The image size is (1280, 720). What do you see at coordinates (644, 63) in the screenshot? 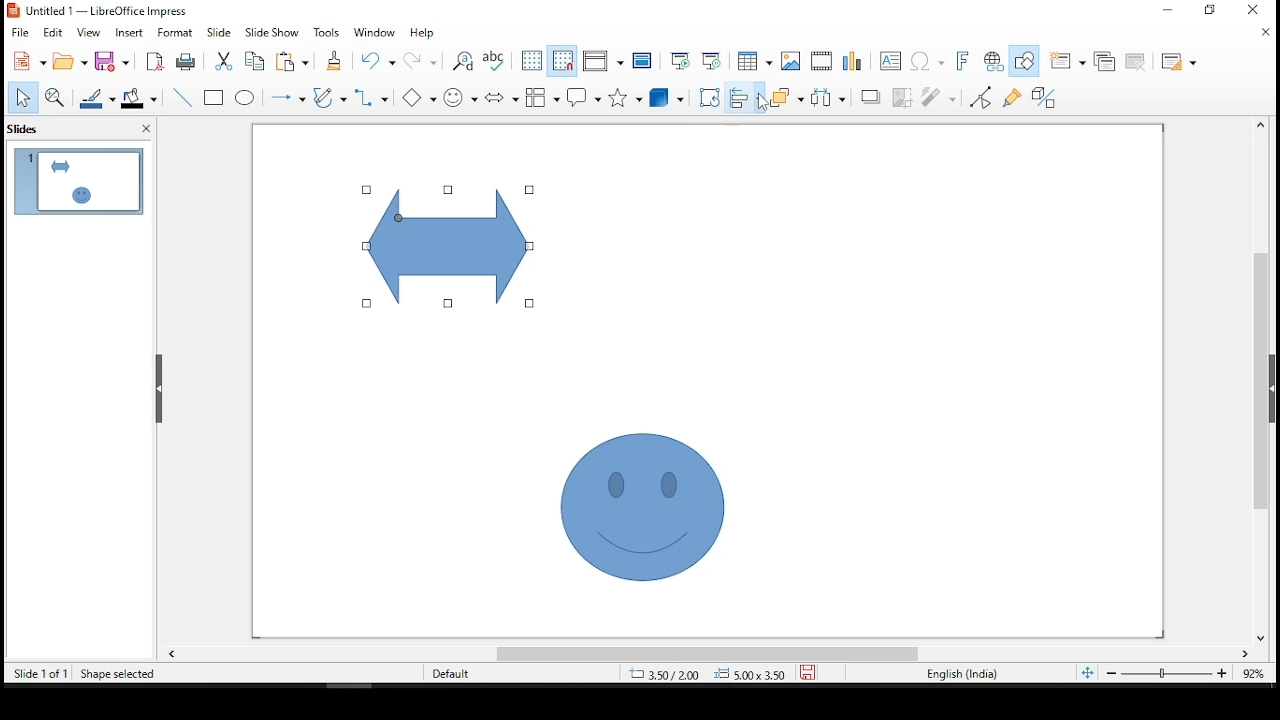
I see `master slide` at bounding box center [644, 63].